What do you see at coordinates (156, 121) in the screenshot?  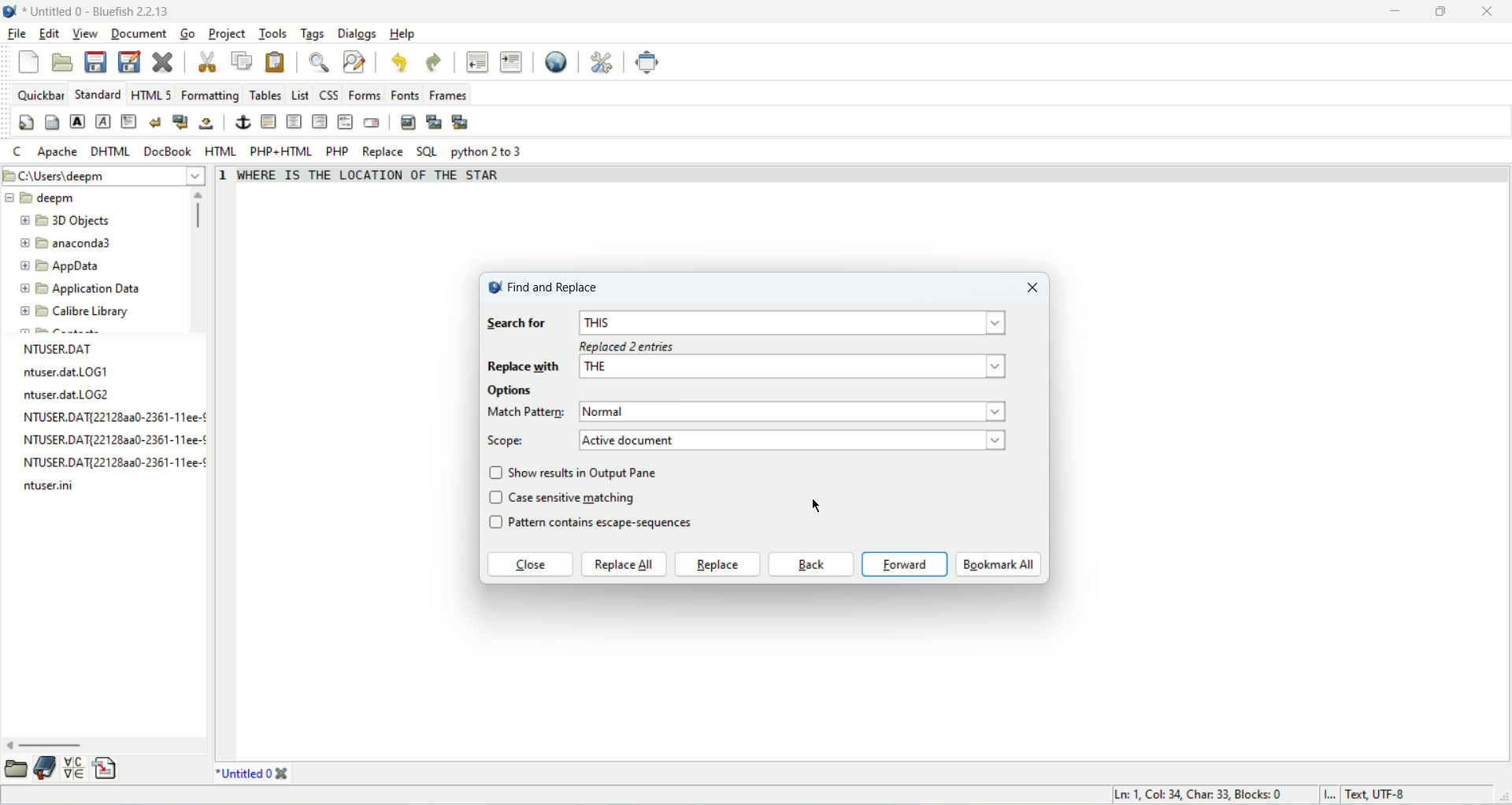 I see `break` at bounding box center [156, 121].